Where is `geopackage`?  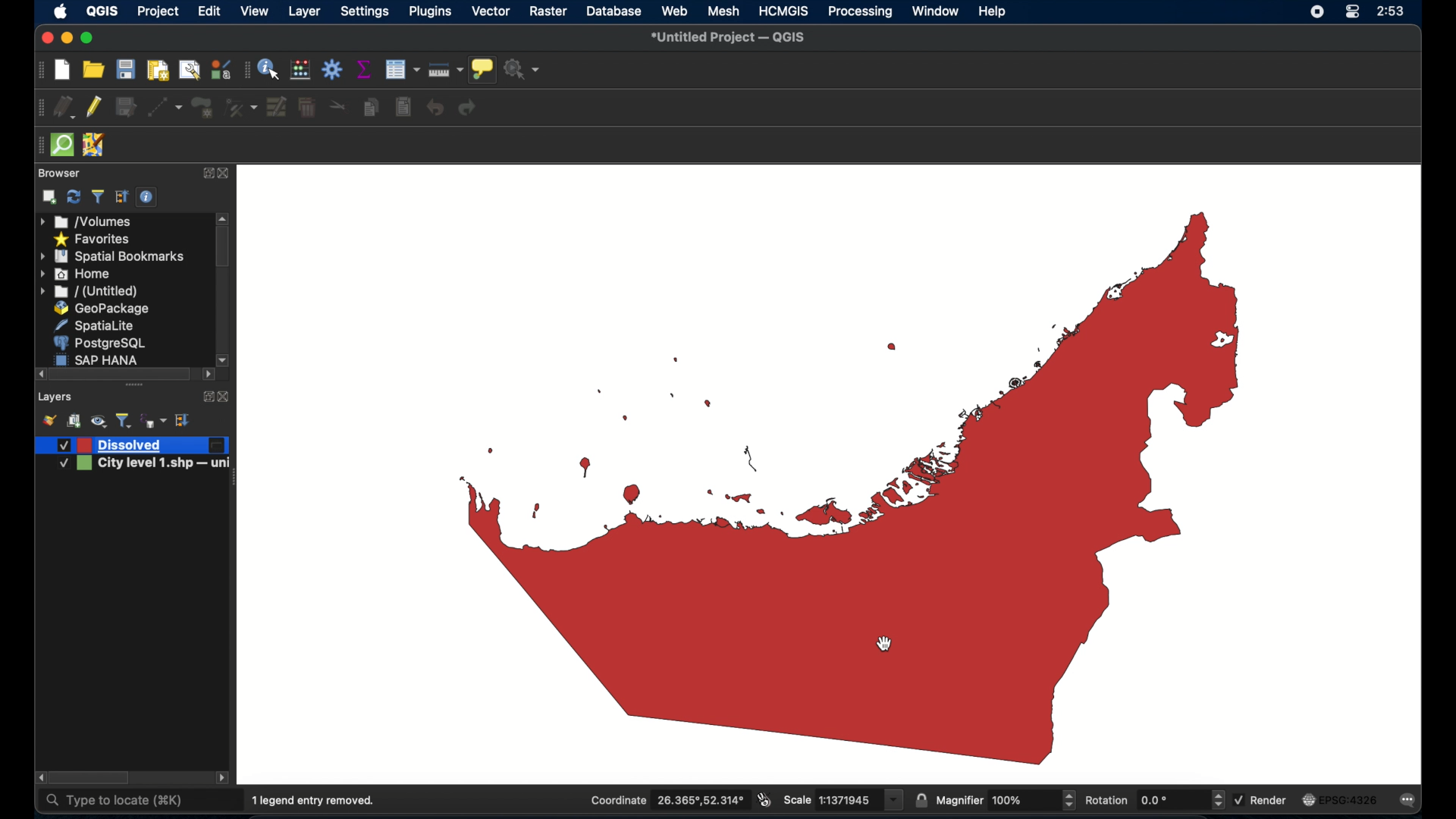 geopackage is located at coordinates (102, 308).